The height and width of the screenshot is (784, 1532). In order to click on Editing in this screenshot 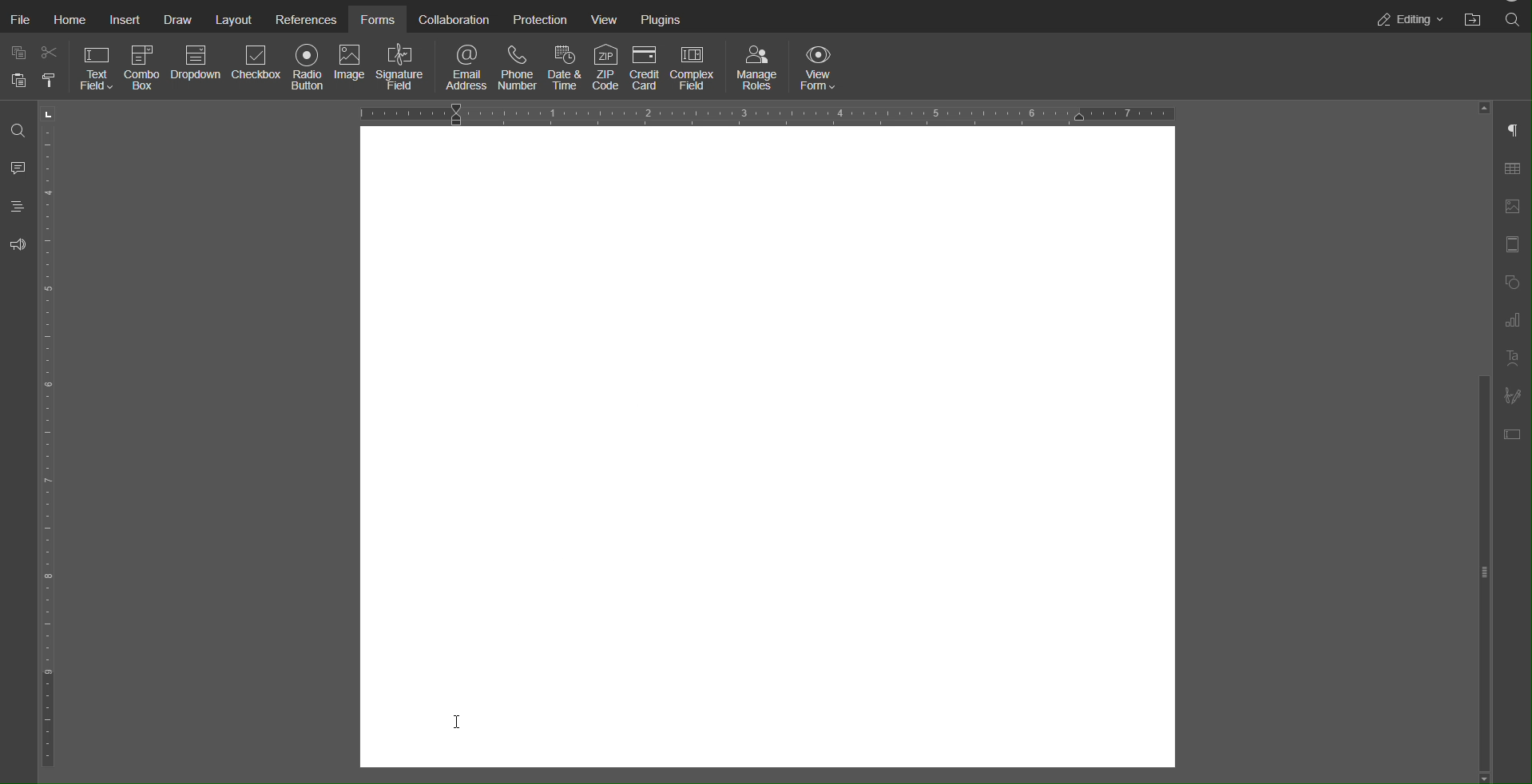, I will do `click(1407, 19)`.